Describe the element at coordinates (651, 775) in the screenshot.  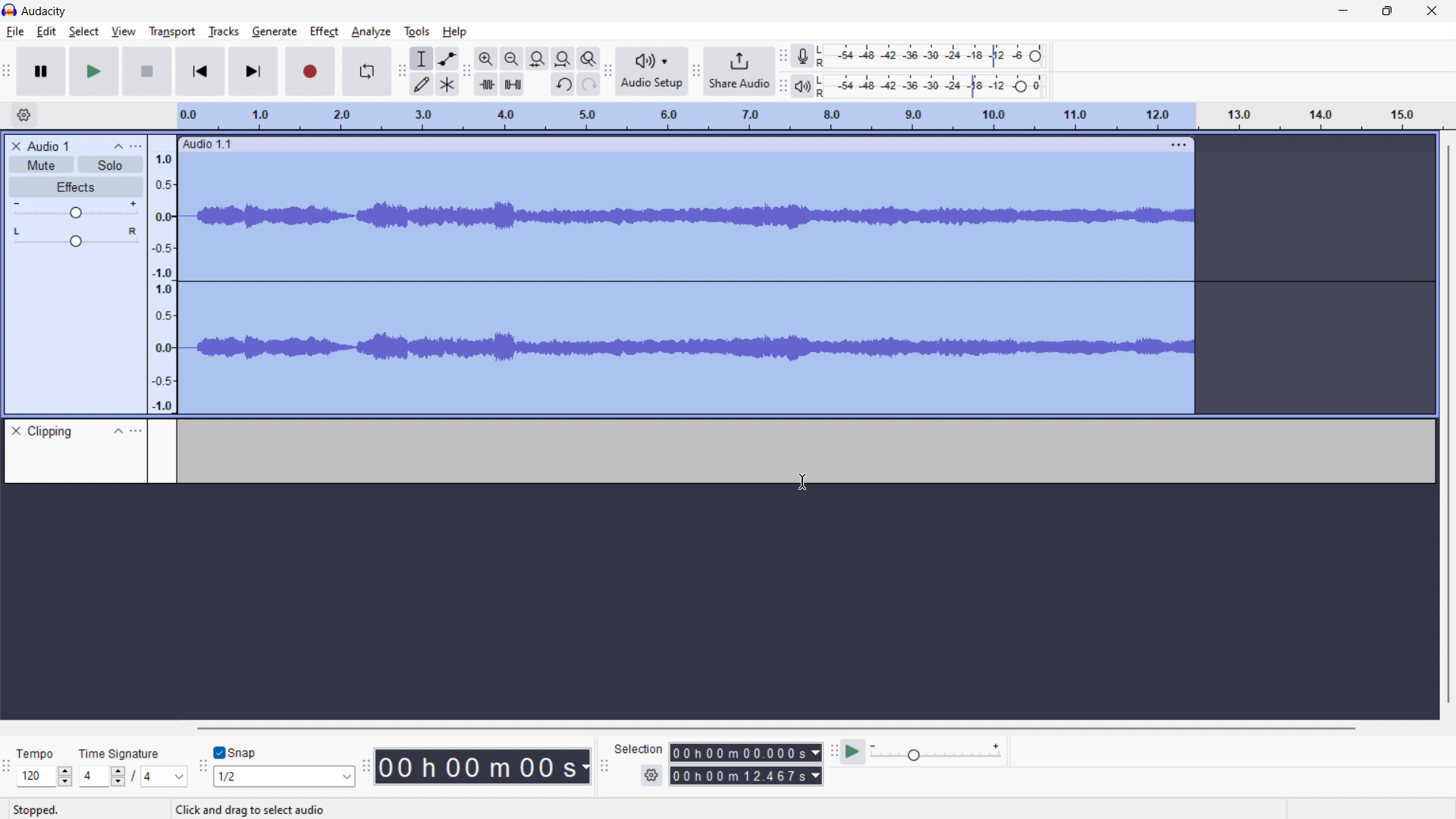
I see `settings` at that location.